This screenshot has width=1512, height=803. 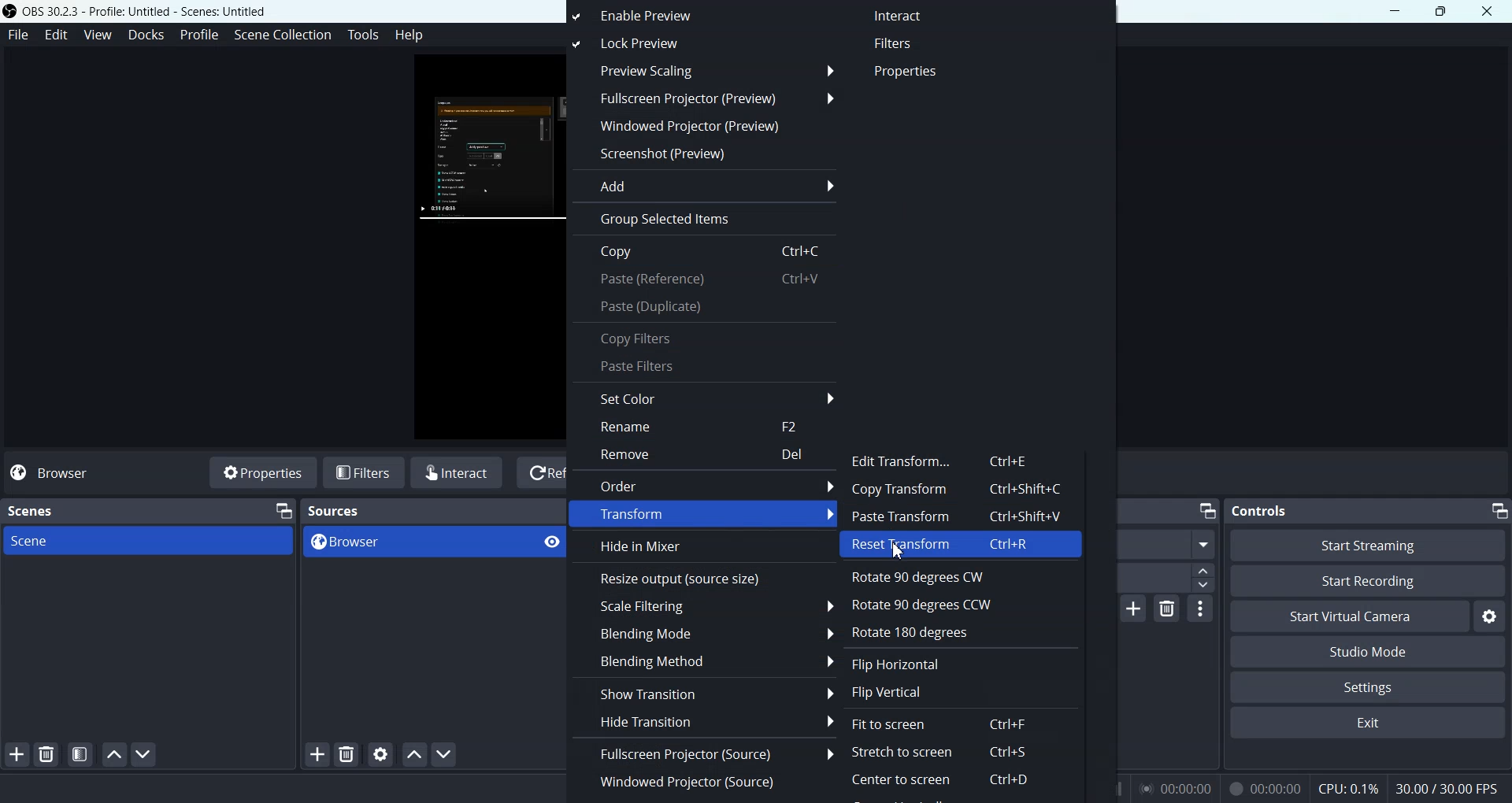 What do you see at coordinates (1366, 651) in the screenshot?
I see `Studio Mode` at bounding box center [1366, 651].